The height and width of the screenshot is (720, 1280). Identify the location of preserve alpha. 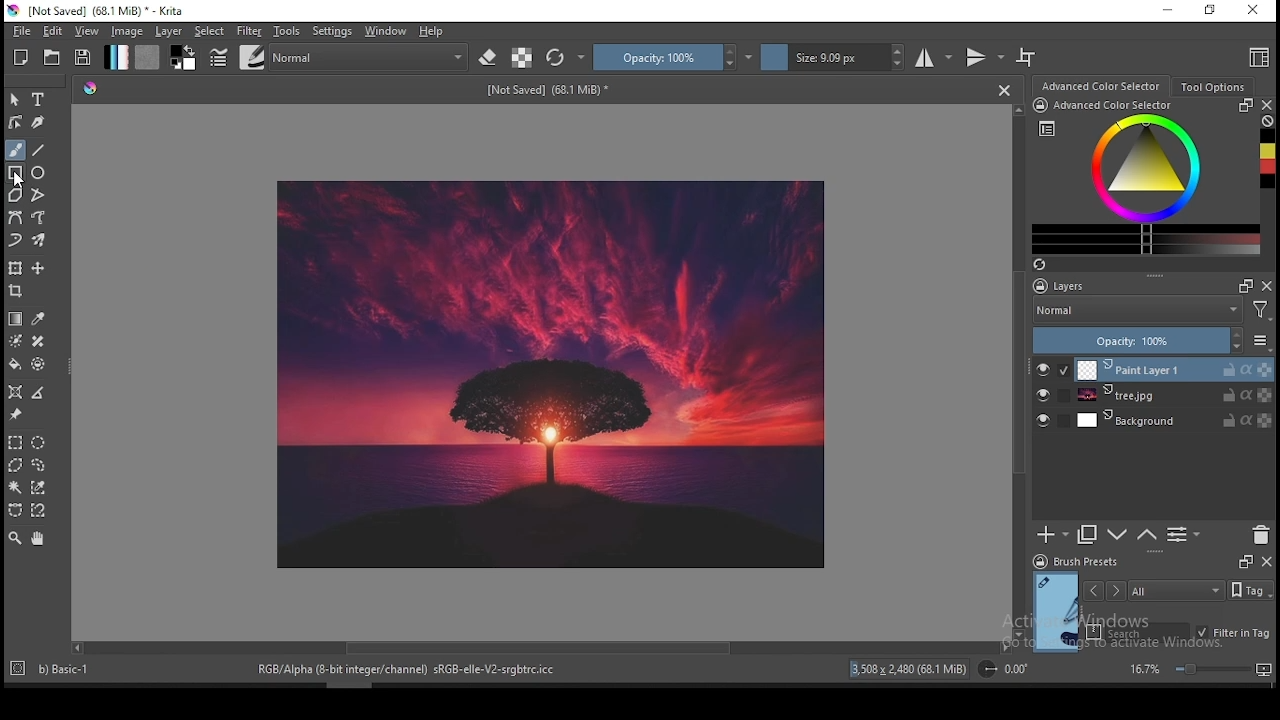
(522, 58).